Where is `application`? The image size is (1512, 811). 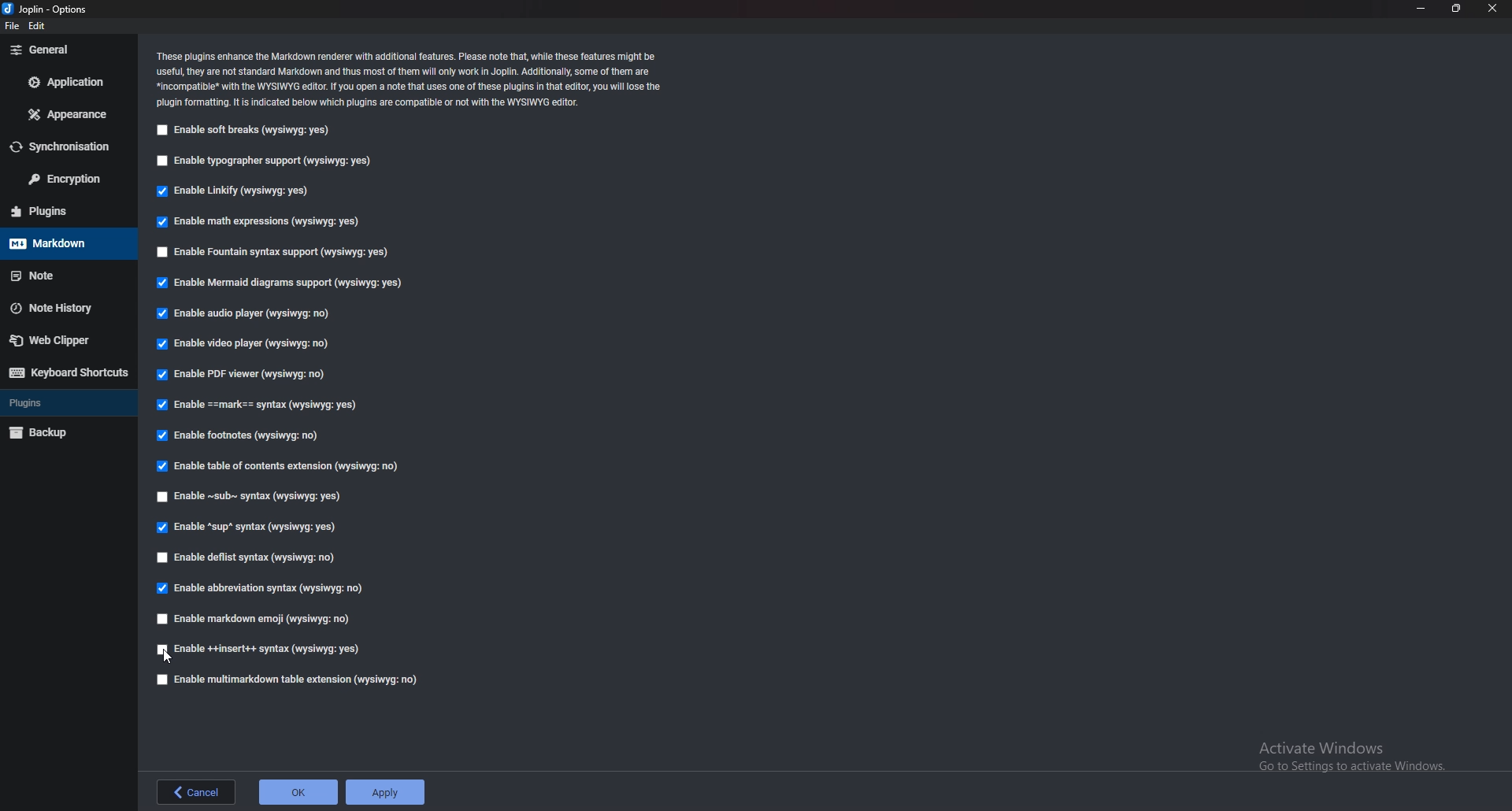
application is located at coordinates (65, 80).